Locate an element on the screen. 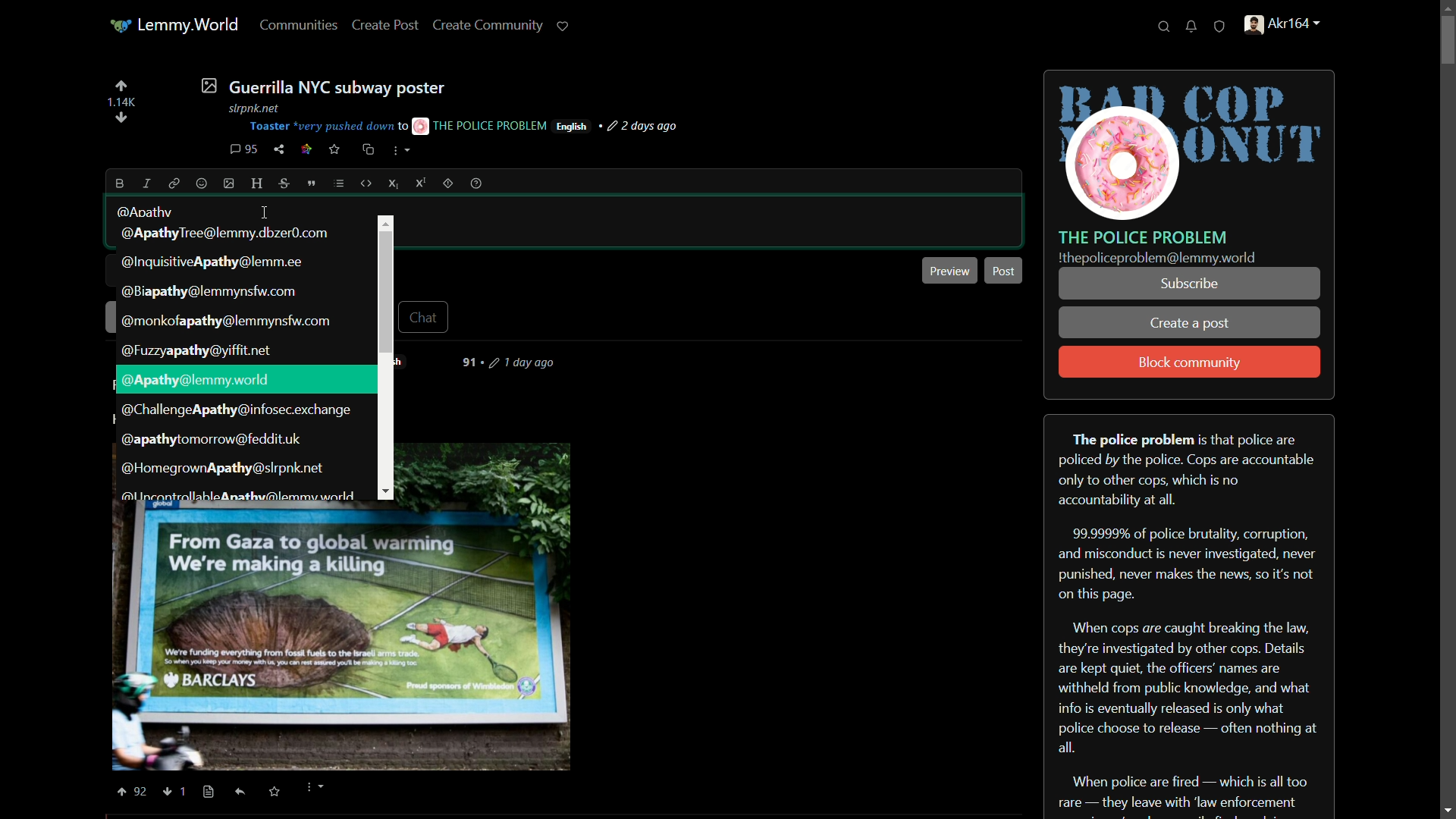 Image resolution: width=1456 pixels, height=819 pixels. number of votes is located at coordinates (121, 102).